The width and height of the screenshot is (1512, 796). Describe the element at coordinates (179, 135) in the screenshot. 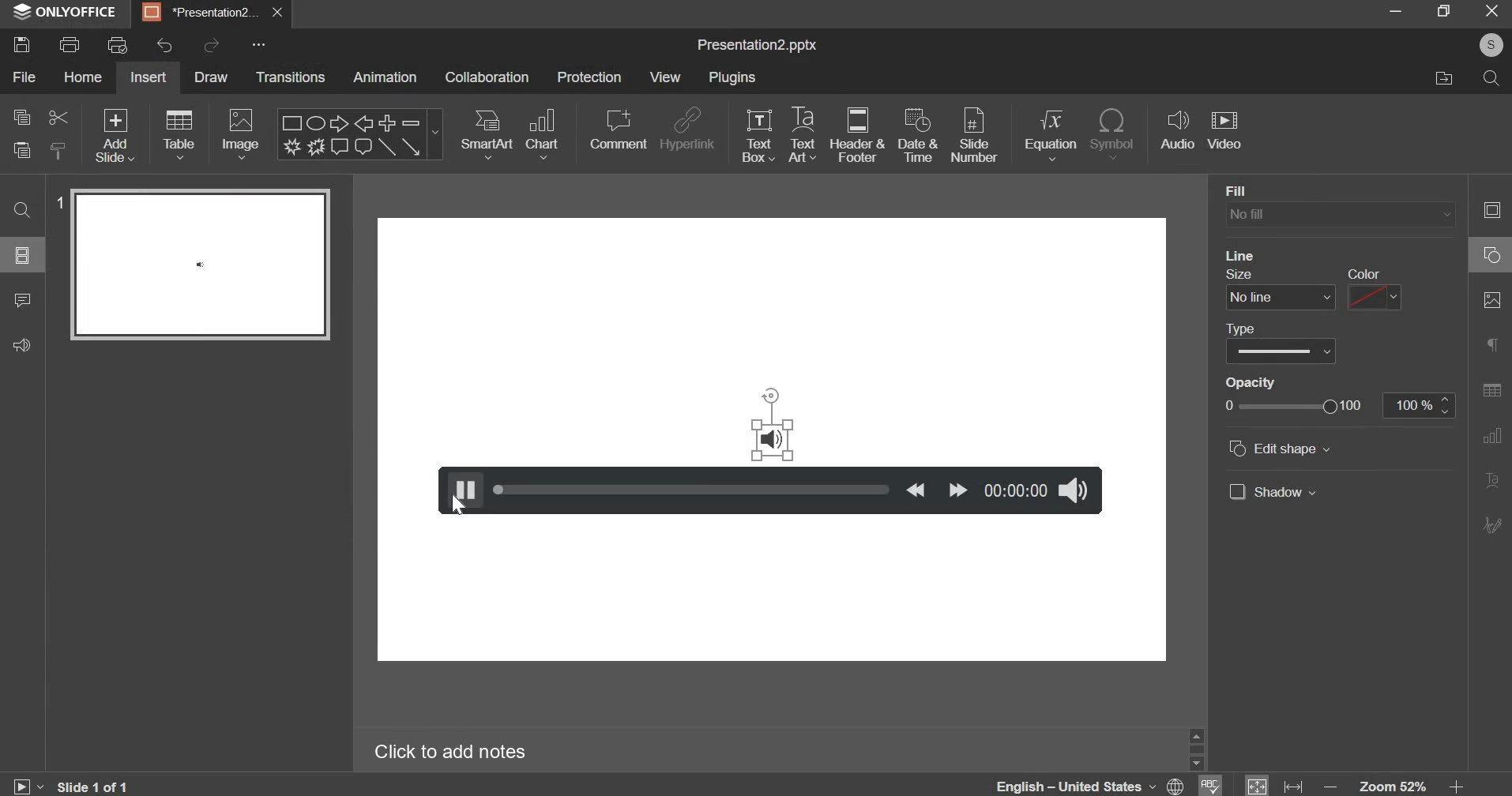

I see `table` at that location.